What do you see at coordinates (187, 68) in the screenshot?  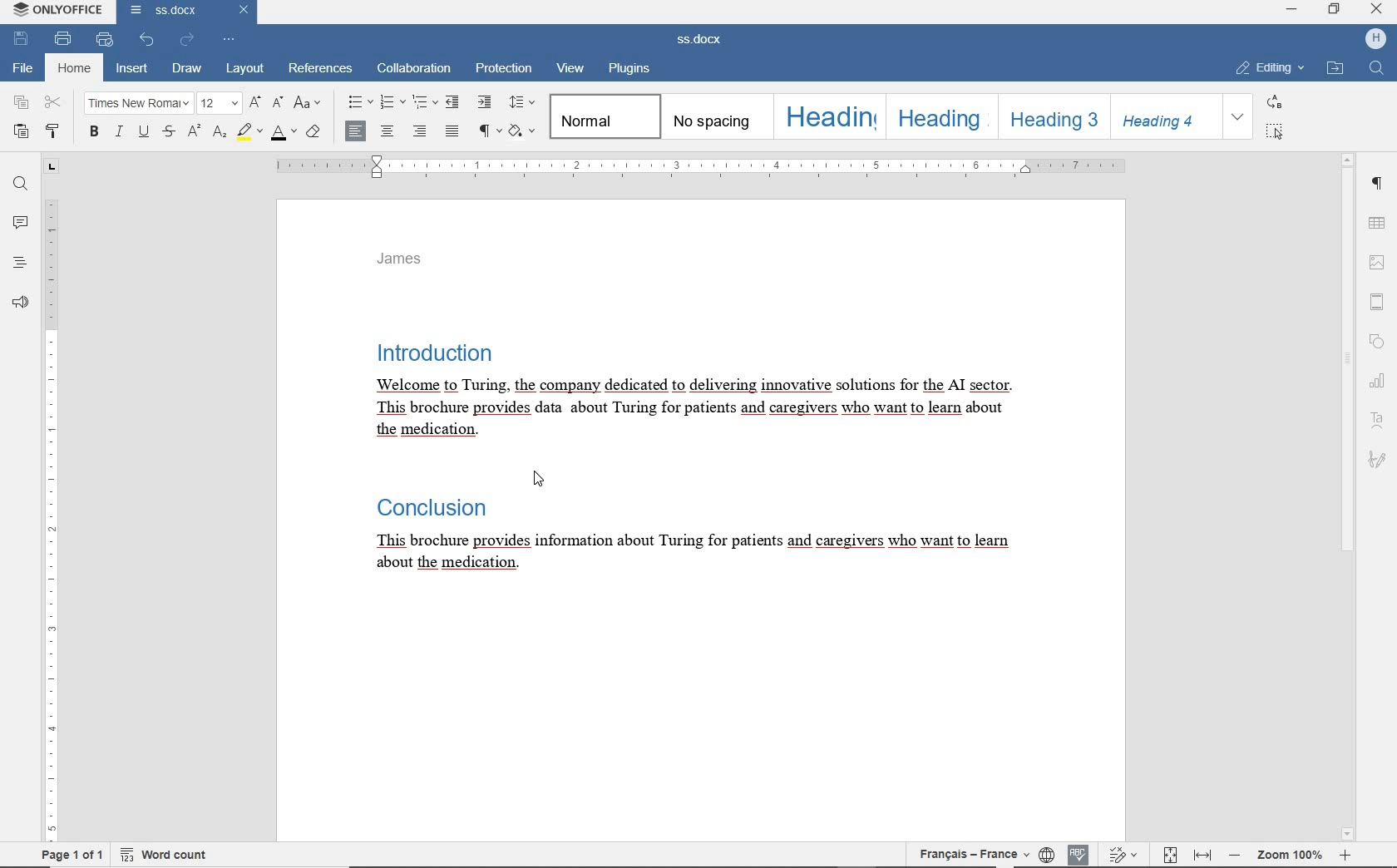 I see `DRAW` at bounding box center [187, 68].